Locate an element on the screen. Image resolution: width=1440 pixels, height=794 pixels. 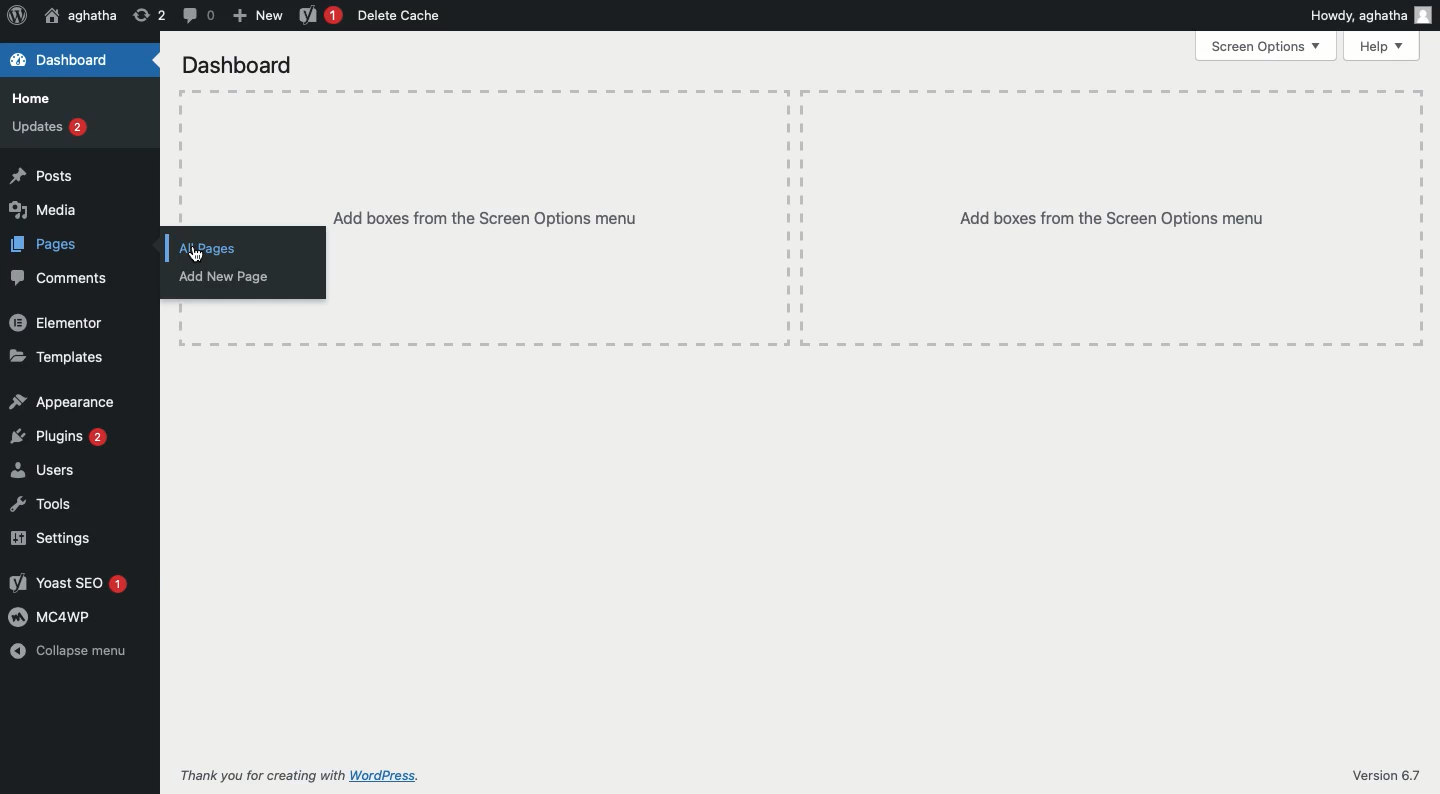
Appearance is located at coordinates (65, 402).